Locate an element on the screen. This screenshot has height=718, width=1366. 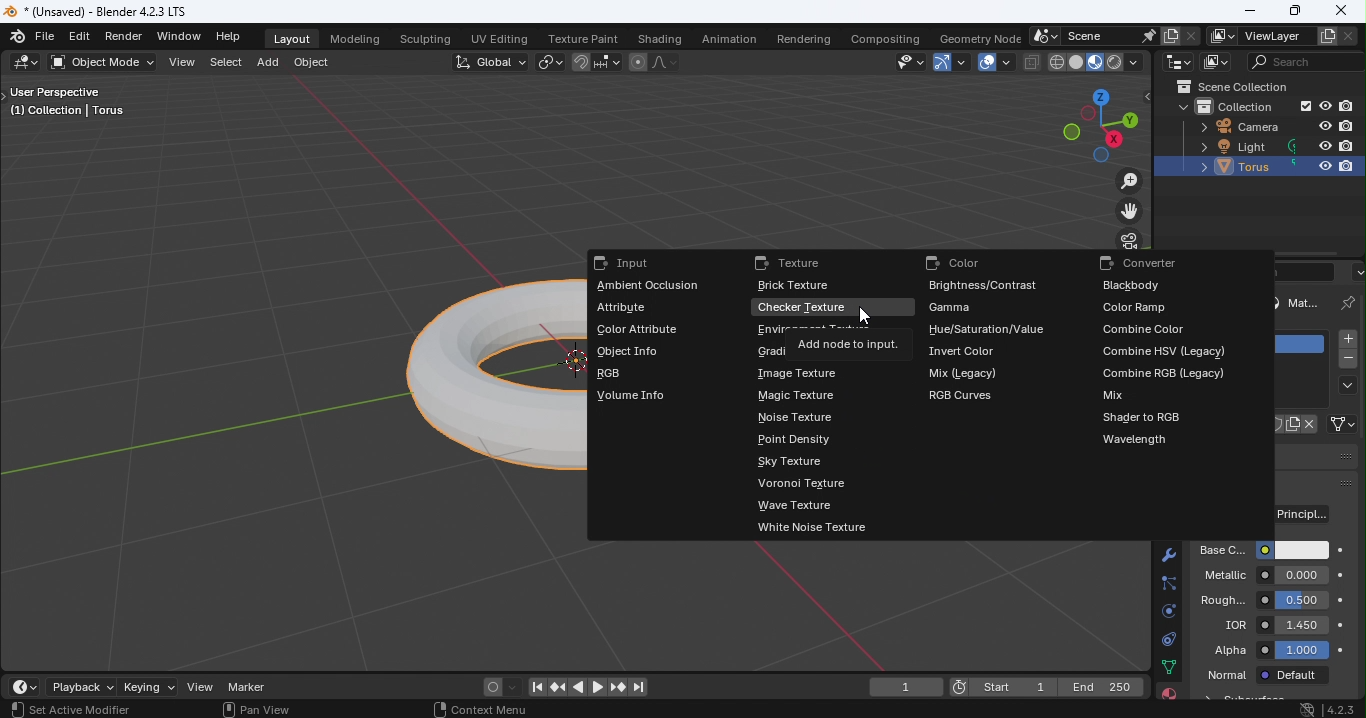
Fake user is located at coordinates (1275, 424).